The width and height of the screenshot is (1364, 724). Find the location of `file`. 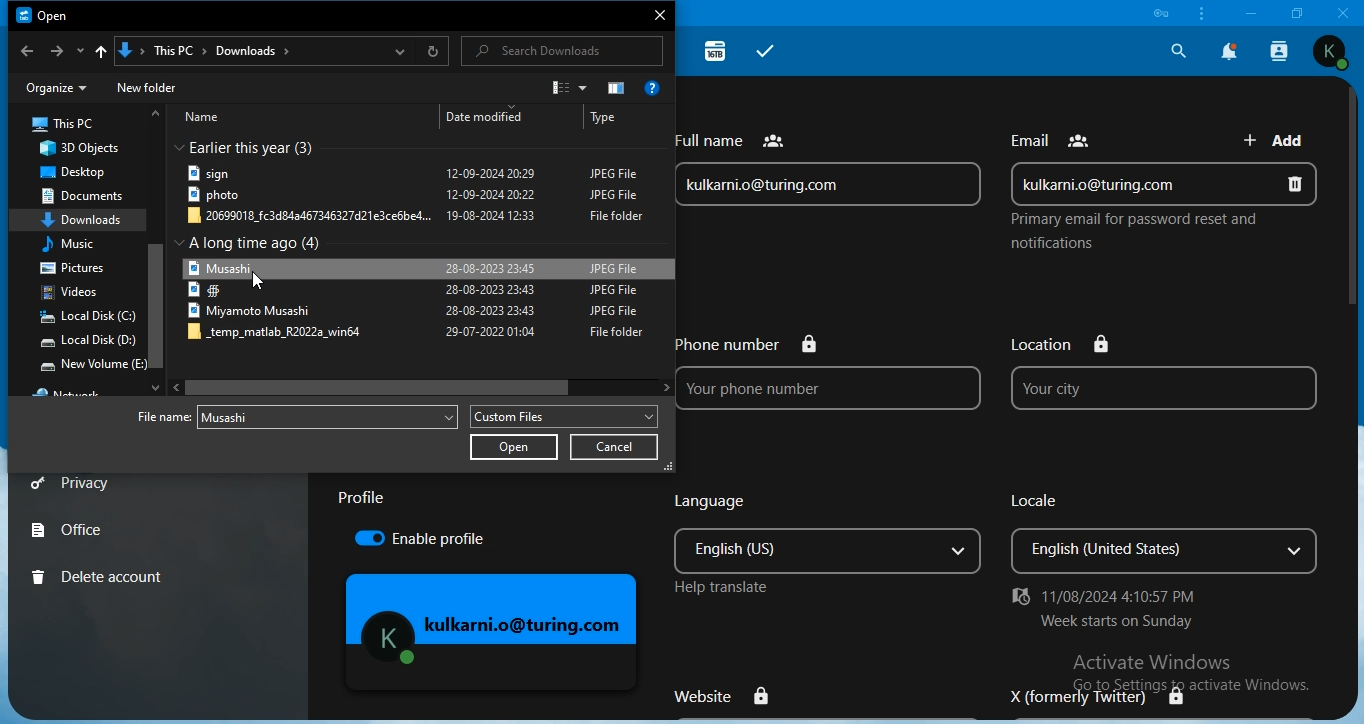

file is located at coordinates (413, 290).